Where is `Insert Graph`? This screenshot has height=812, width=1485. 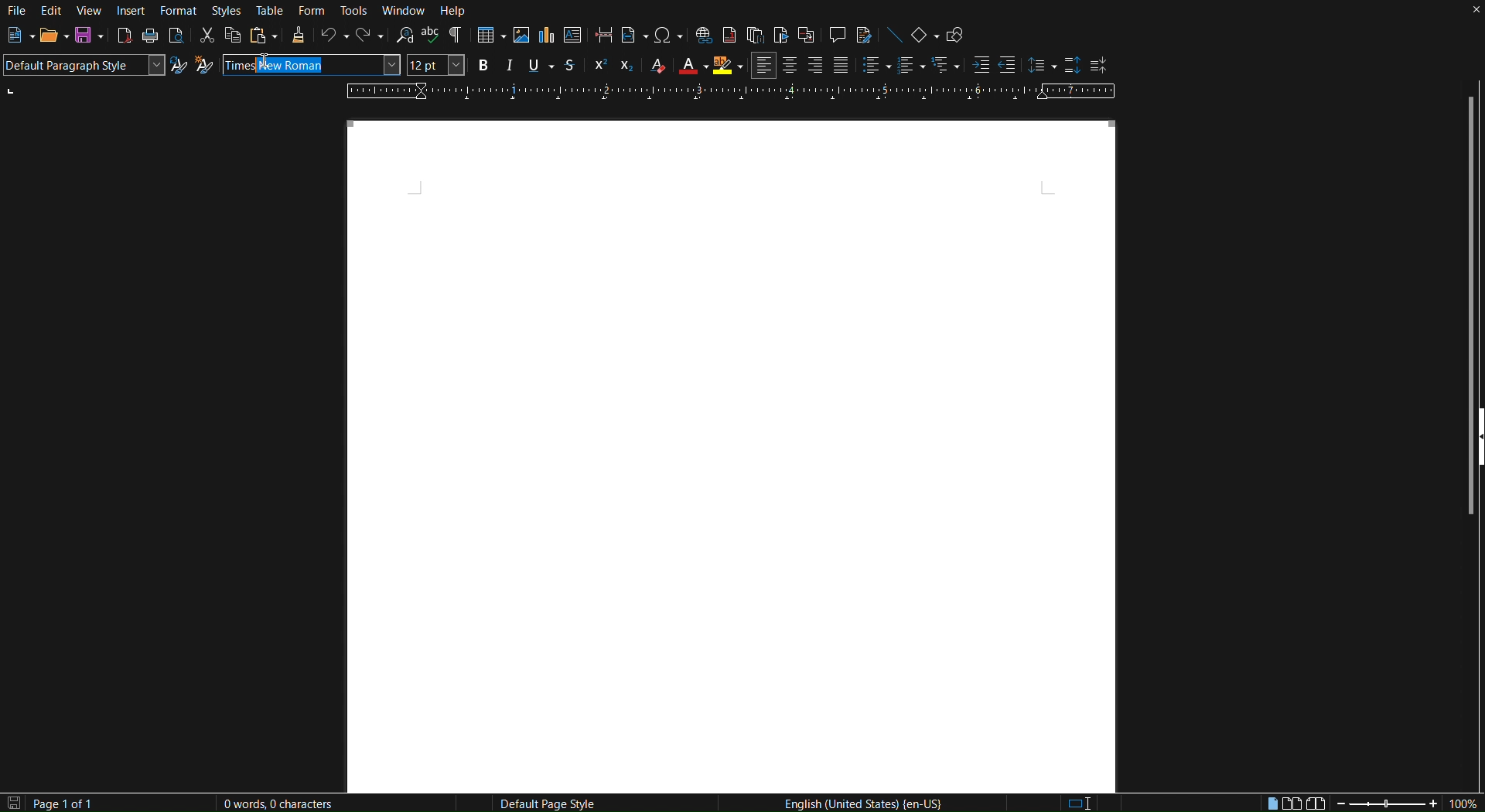 Insert Graph is located at coordinates (547, 35).